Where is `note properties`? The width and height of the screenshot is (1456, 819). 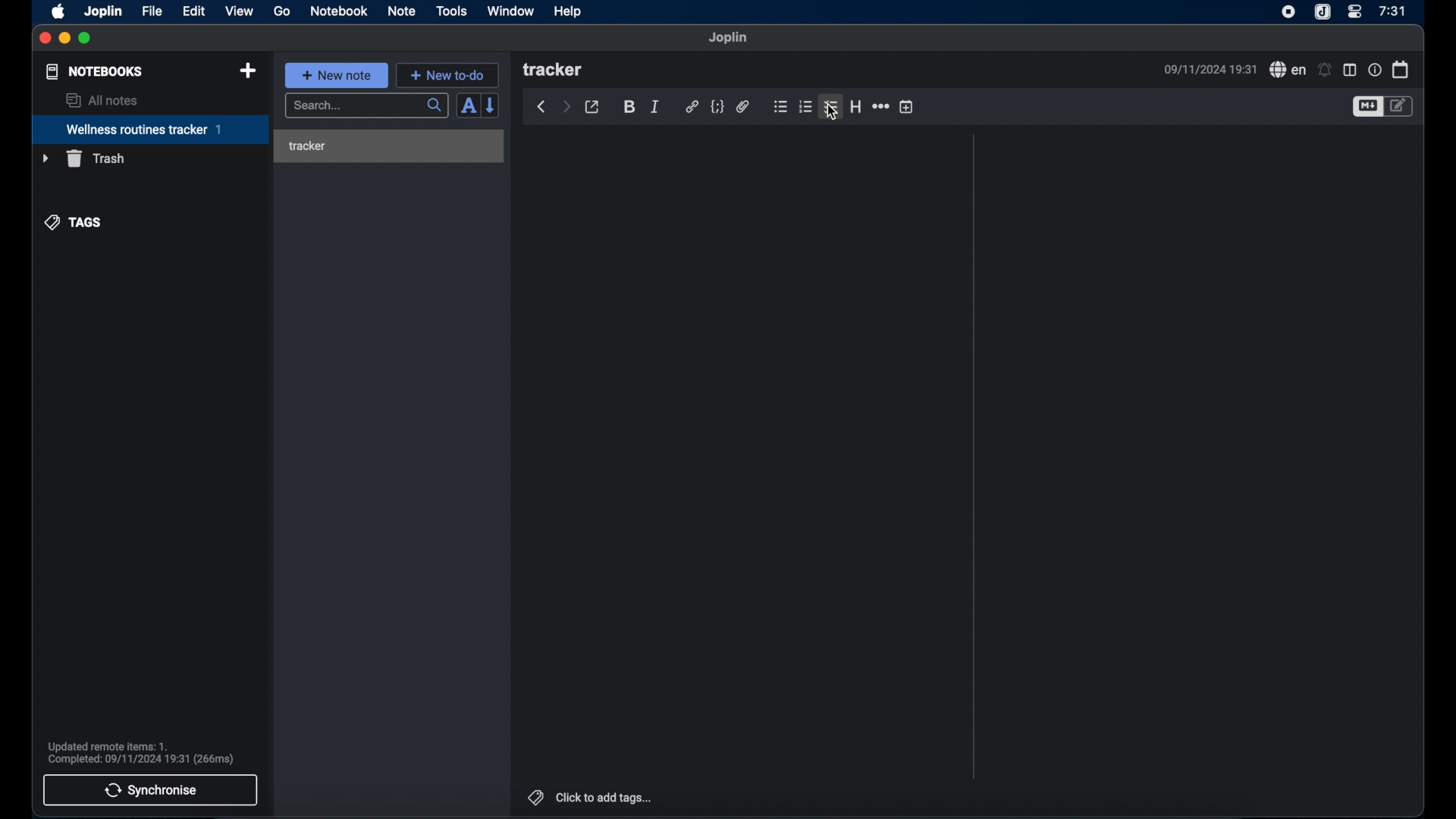
note properties is located at coordinates (1374, 69).